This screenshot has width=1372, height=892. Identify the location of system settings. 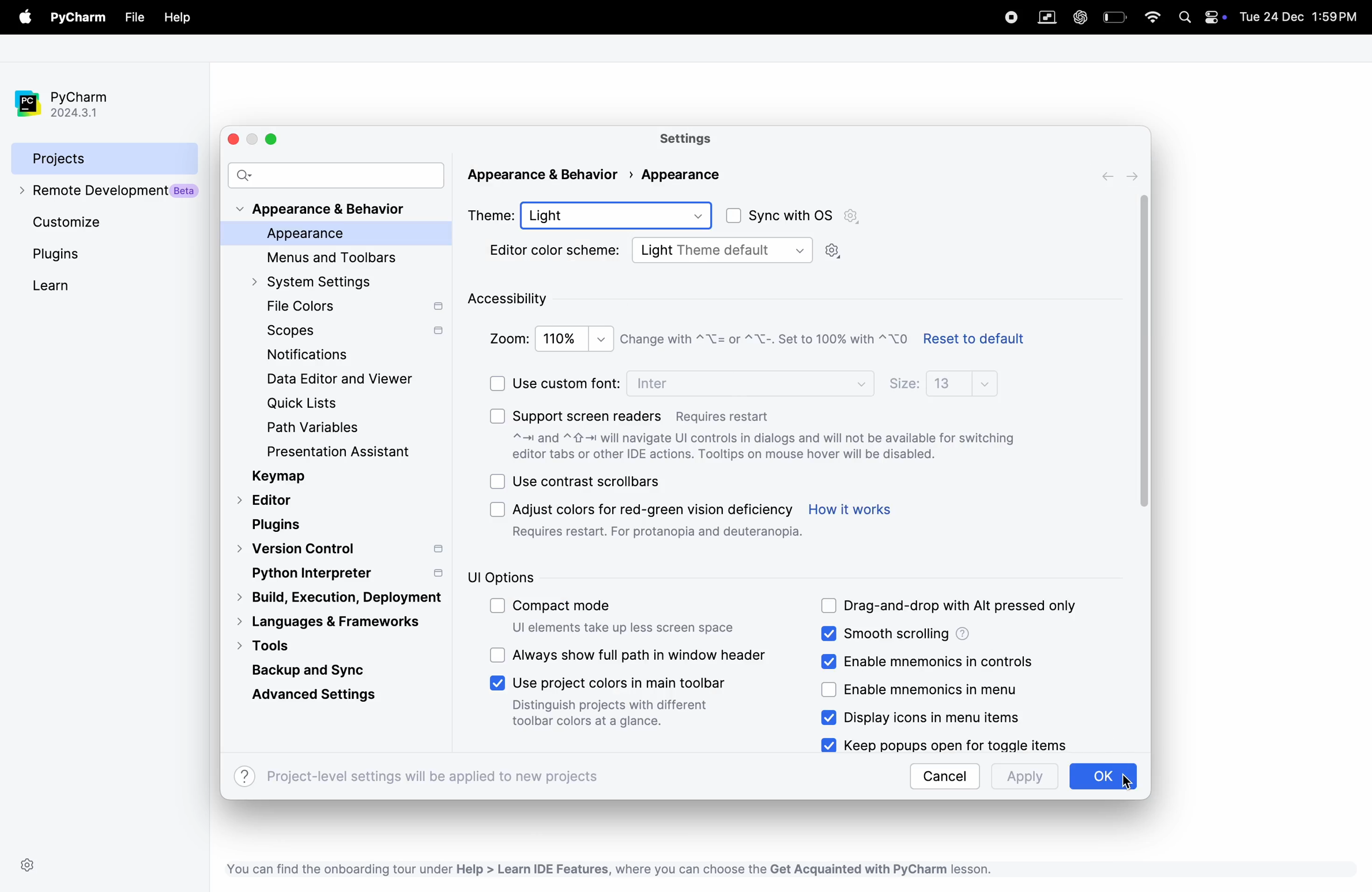
(330, 282).